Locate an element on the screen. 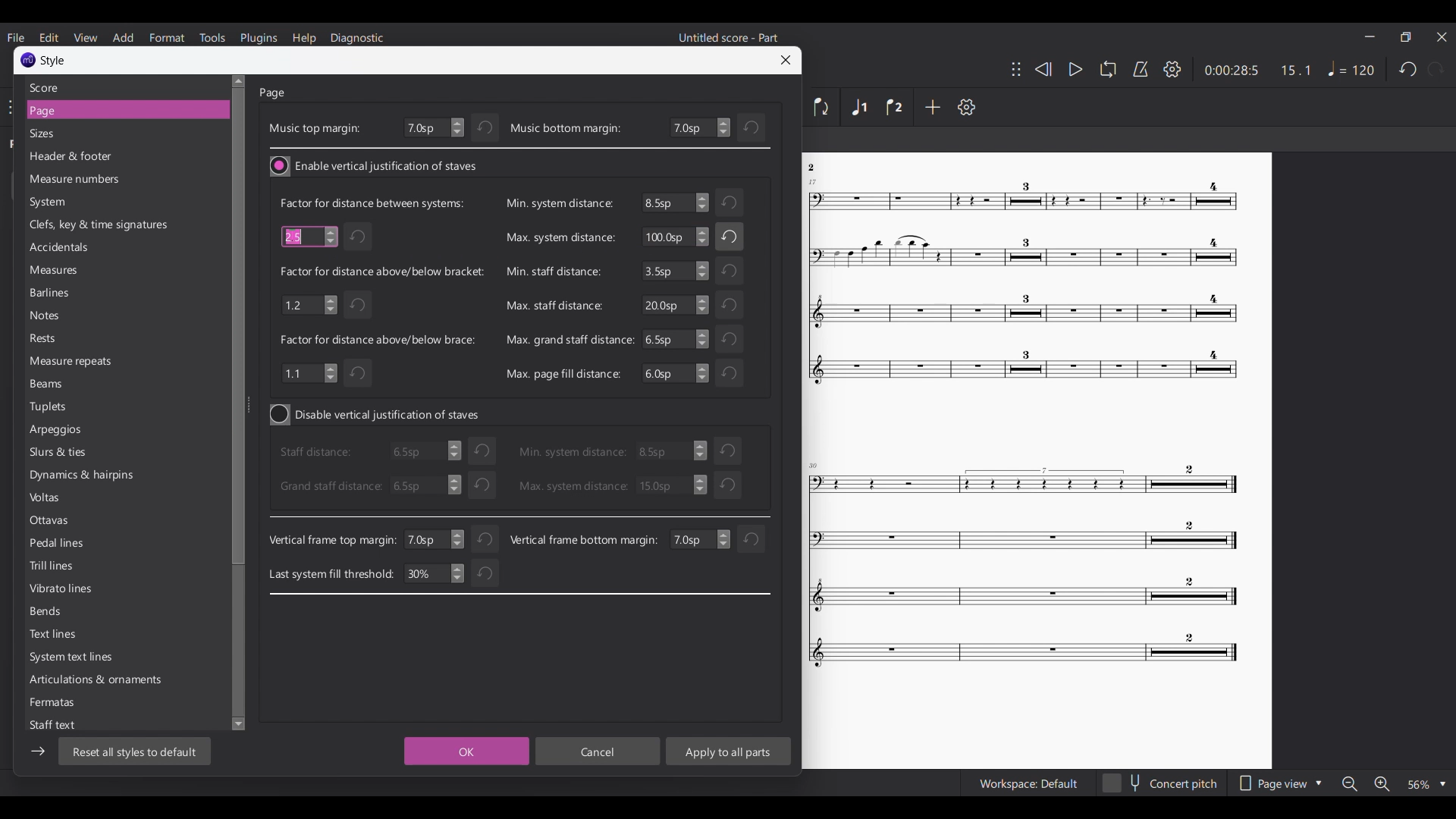  Close interface is located at coordinates (1442, 36).